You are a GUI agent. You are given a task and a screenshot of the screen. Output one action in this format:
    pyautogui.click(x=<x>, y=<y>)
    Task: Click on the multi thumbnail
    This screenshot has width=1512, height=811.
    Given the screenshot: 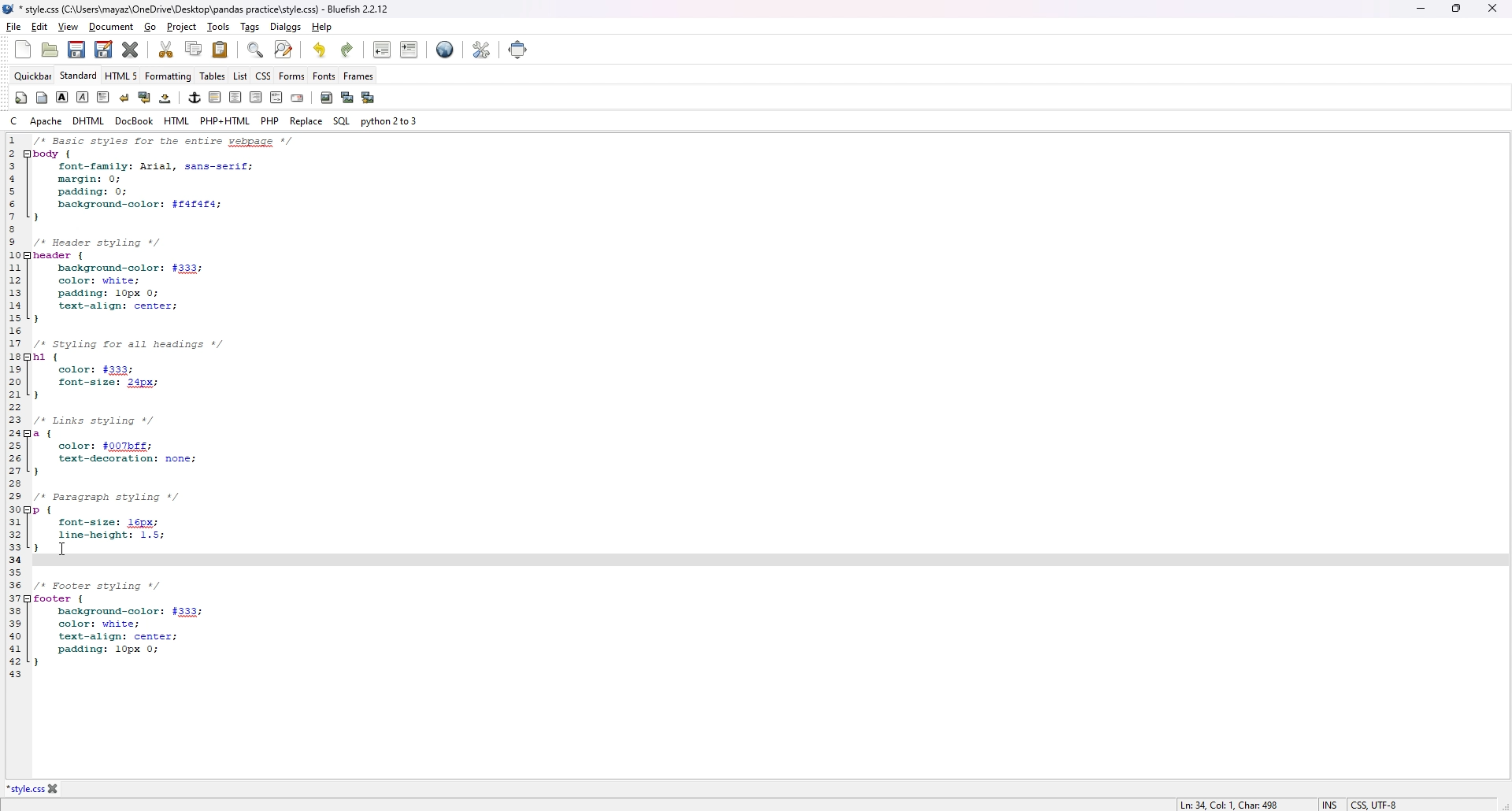 What is the action you would take?
    pyautogui.click(x=369, y=98)
    